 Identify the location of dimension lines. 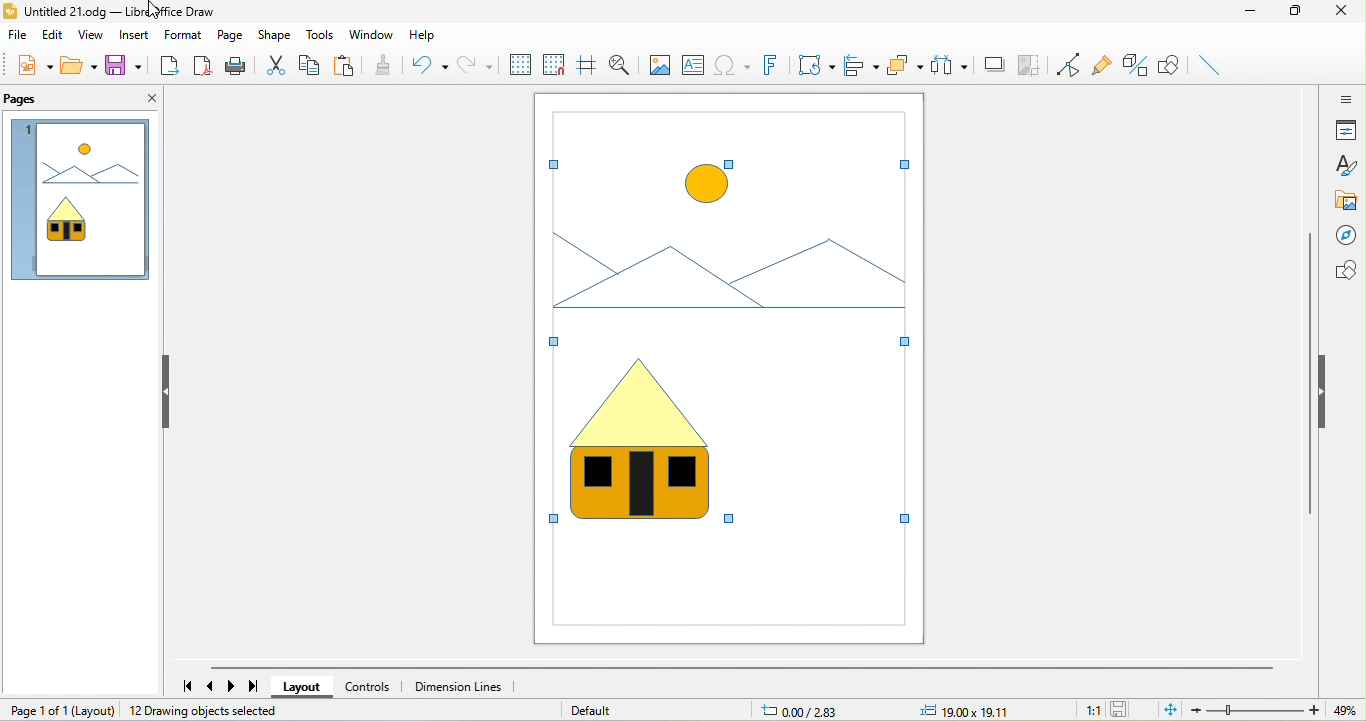
(459, 686).